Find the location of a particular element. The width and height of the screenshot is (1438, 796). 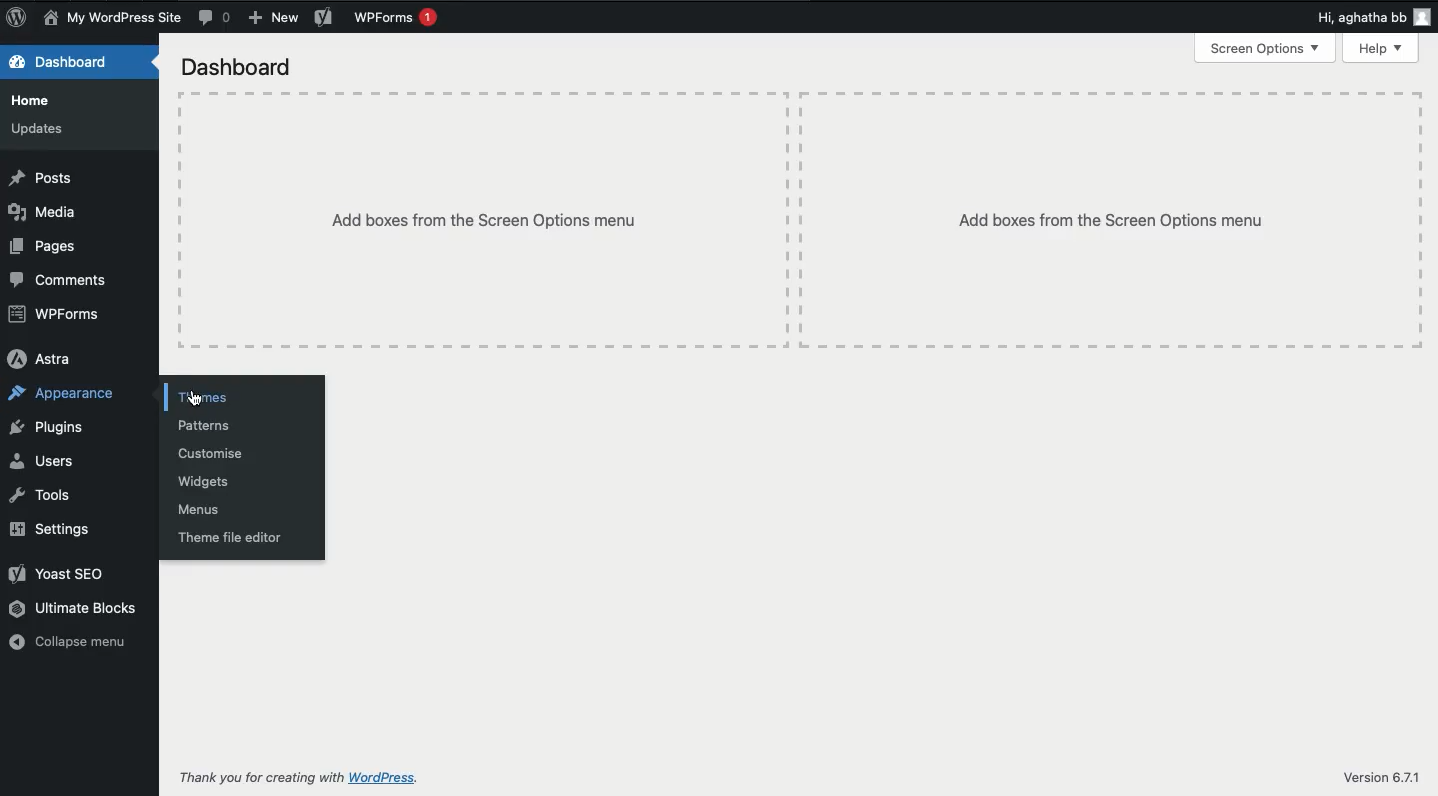

Dashboard is located at coordinates (62, 62).